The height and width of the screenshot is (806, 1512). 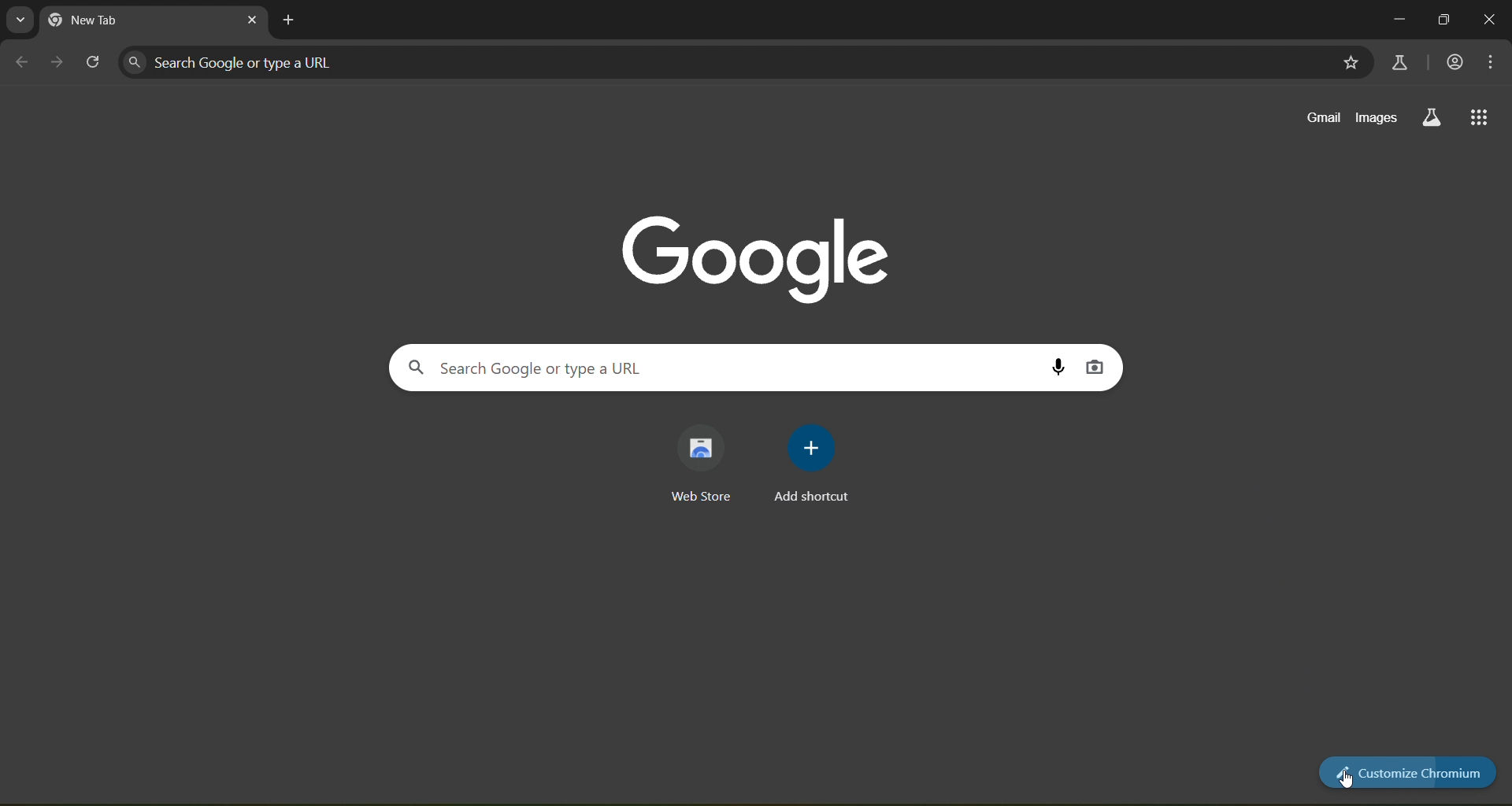 I want to click on go back one page, so click(x=20, y=61).